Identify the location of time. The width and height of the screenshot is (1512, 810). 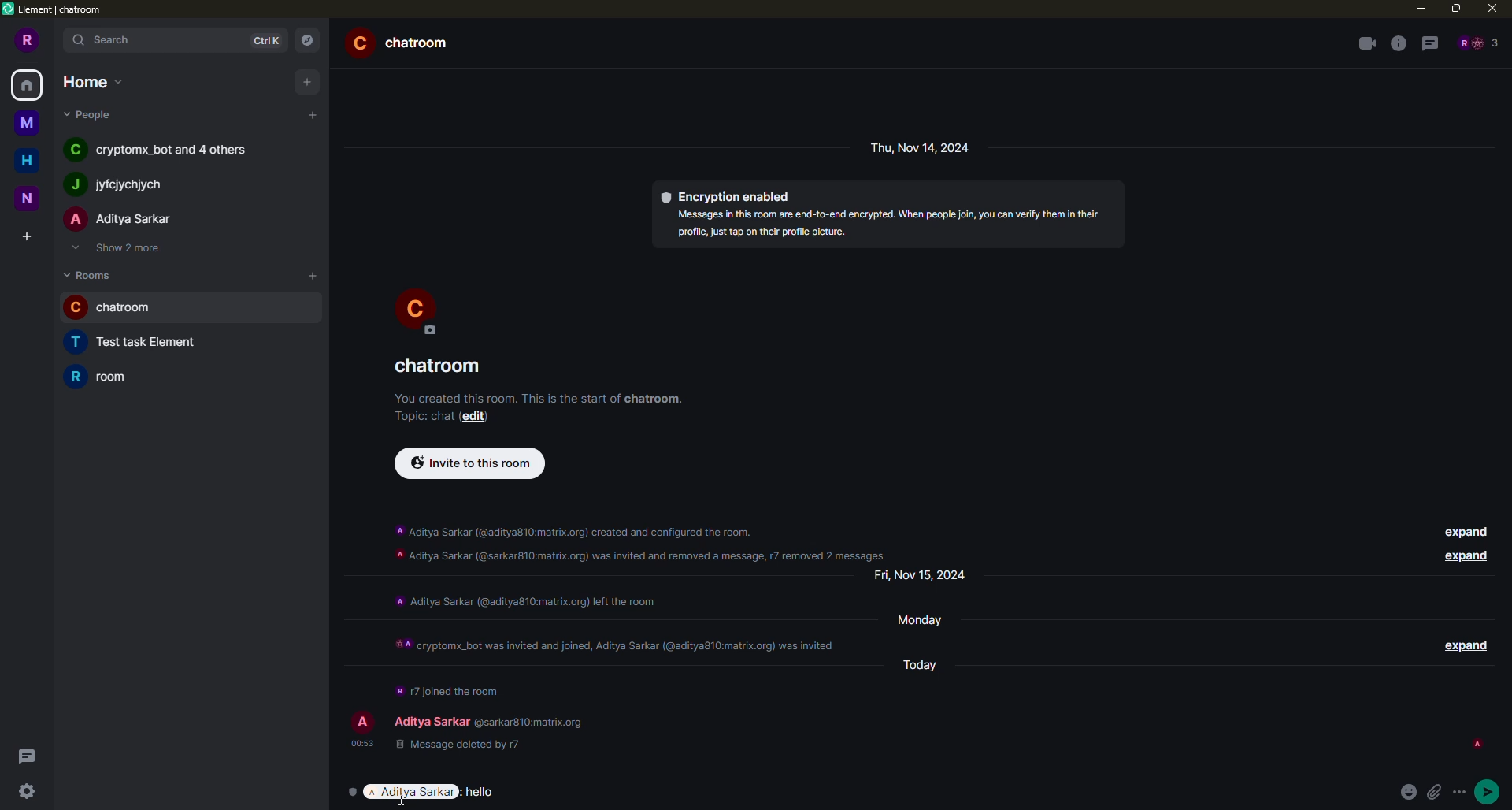
(361, 742).